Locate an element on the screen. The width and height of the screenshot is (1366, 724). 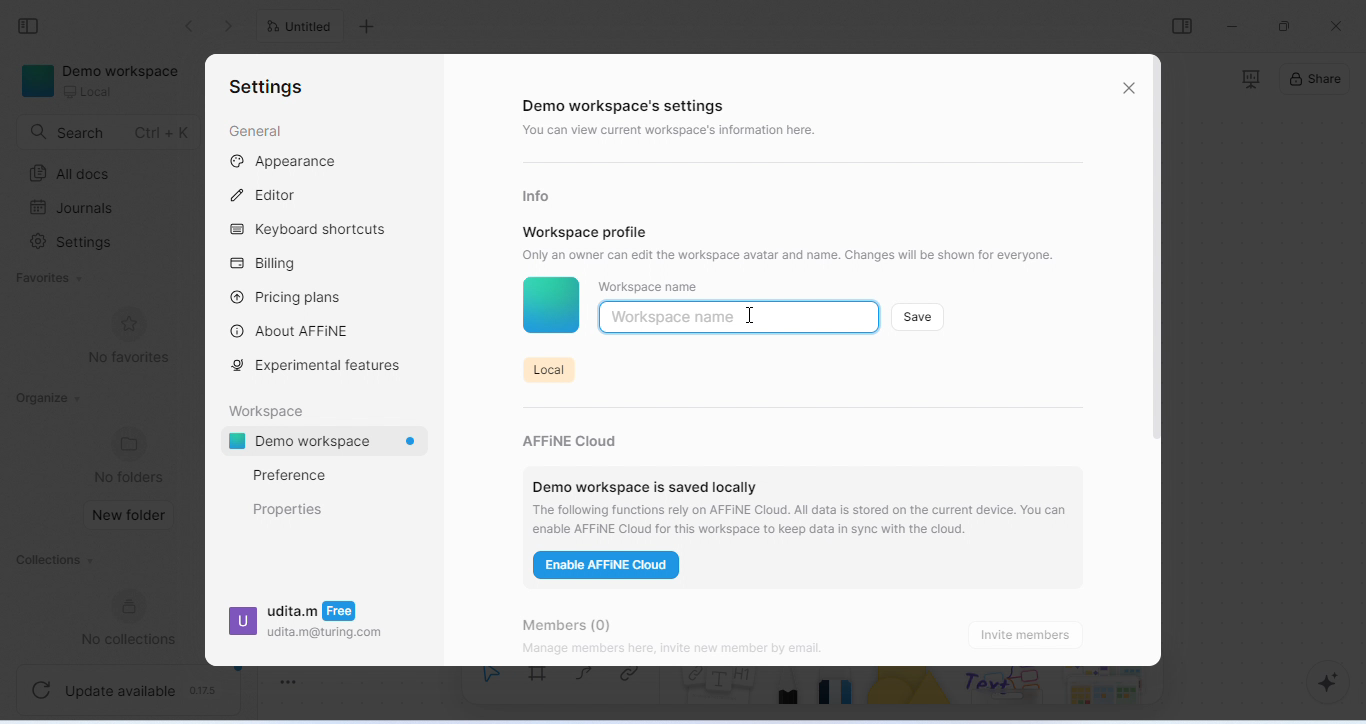
add new tab is located at coordinates (369, 27).